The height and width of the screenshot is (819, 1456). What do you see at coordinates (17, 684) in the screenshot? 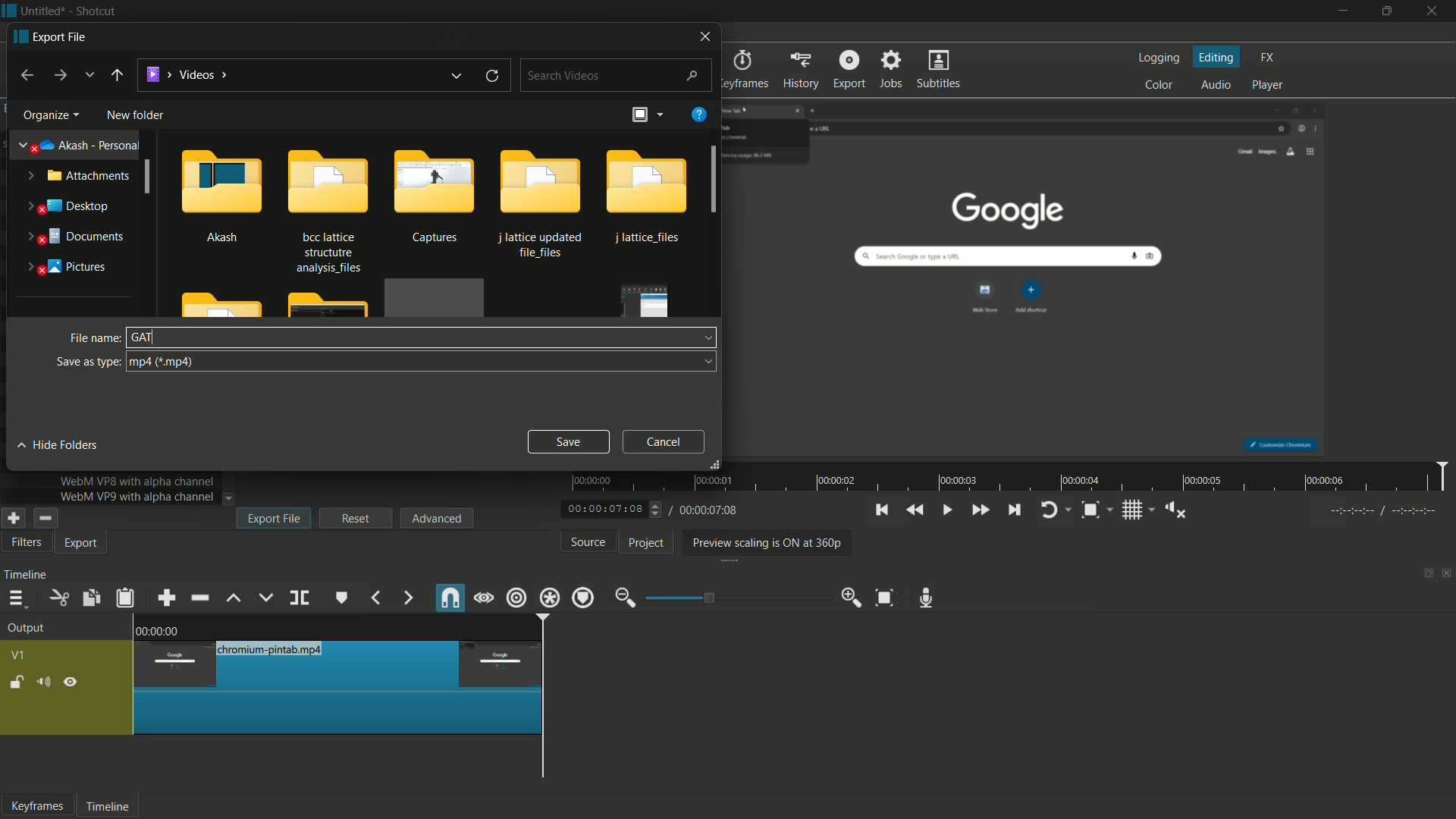
I see `lock` at bounding box center [17, 684].